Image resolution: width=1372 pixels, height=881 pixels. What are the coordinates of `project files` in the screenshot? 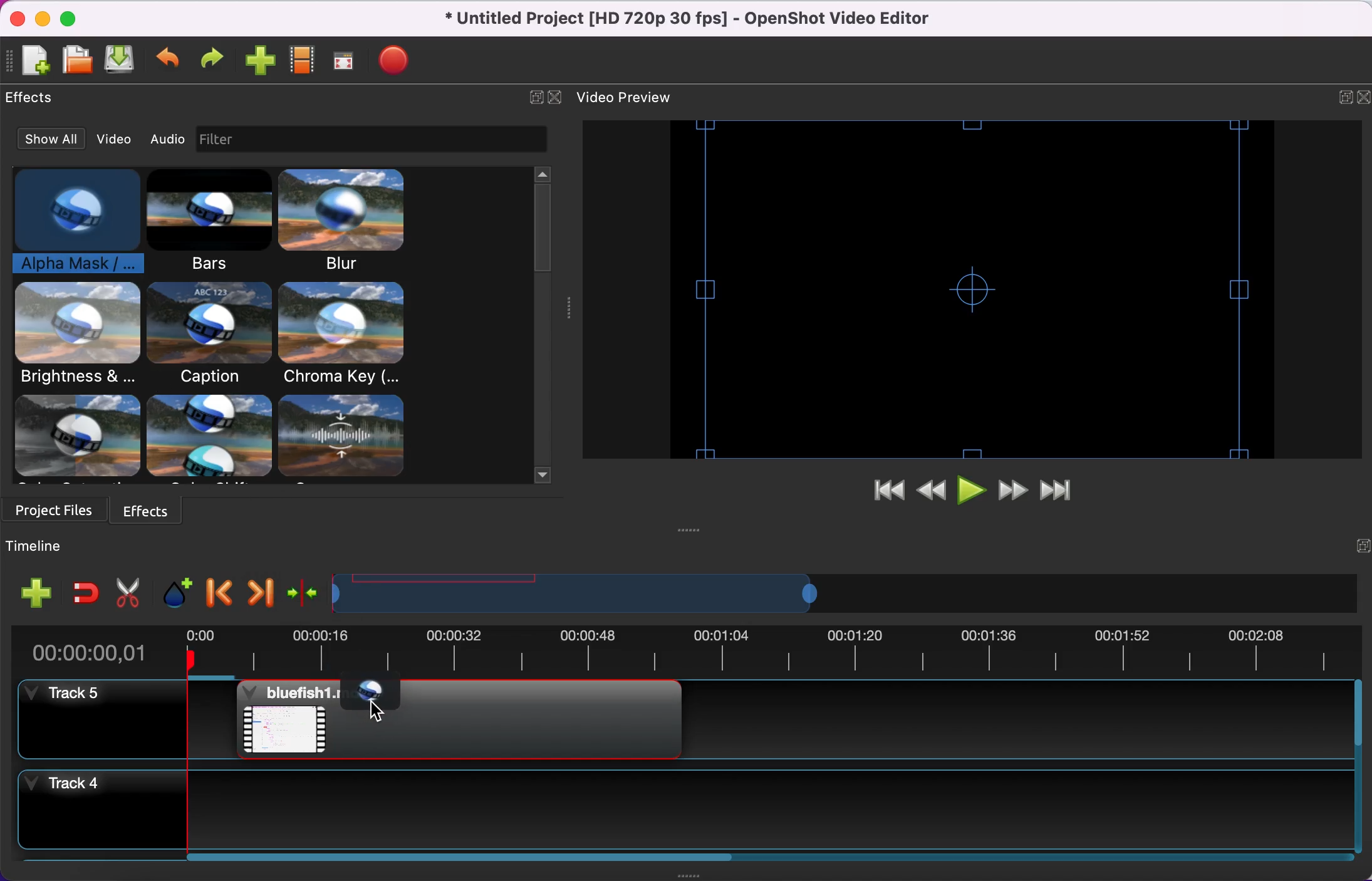 It's located at (56, 513).